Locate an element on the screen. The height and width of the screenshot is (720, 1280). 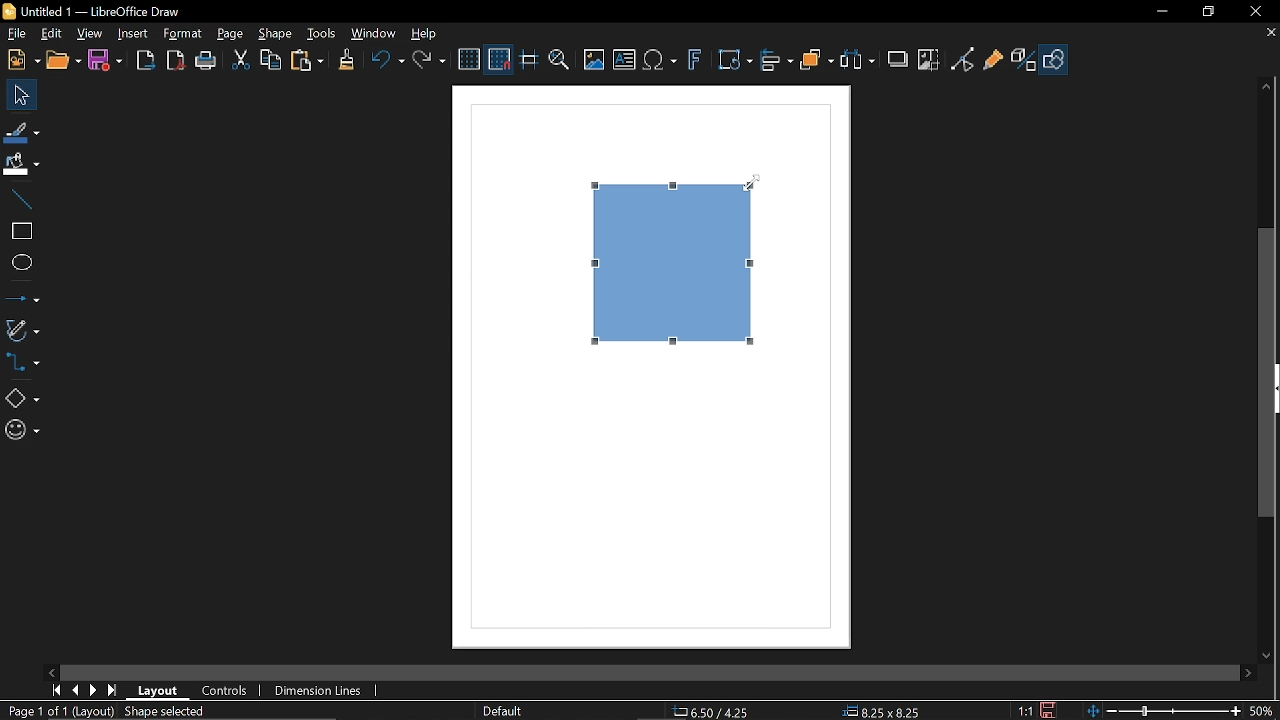
New is located at coordinates (22, 61).